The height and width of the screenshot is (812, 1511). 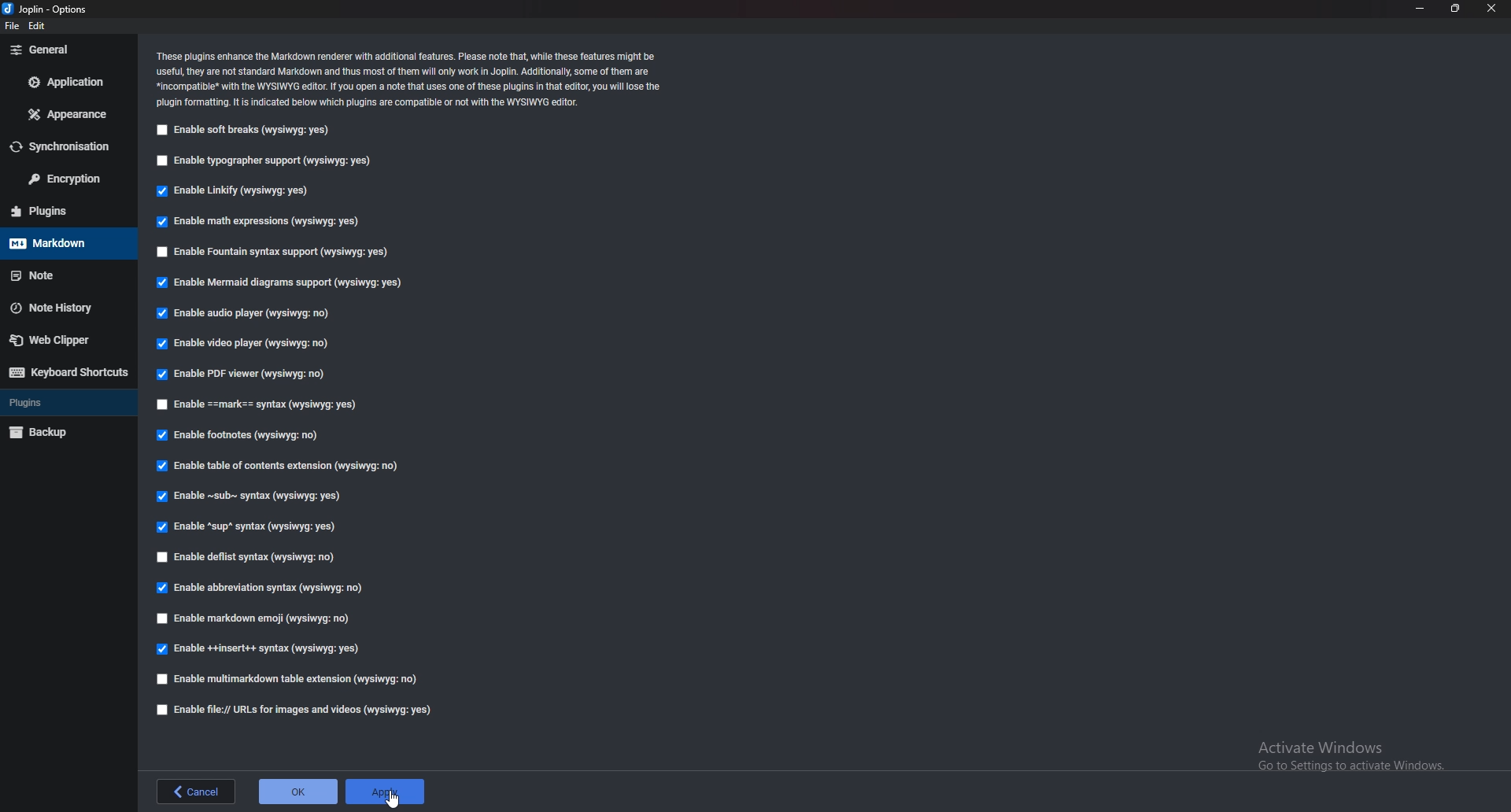 What do you see at coordinates (13, 28) in the screenshot?
I see `file` at bounding box center [13, 28].